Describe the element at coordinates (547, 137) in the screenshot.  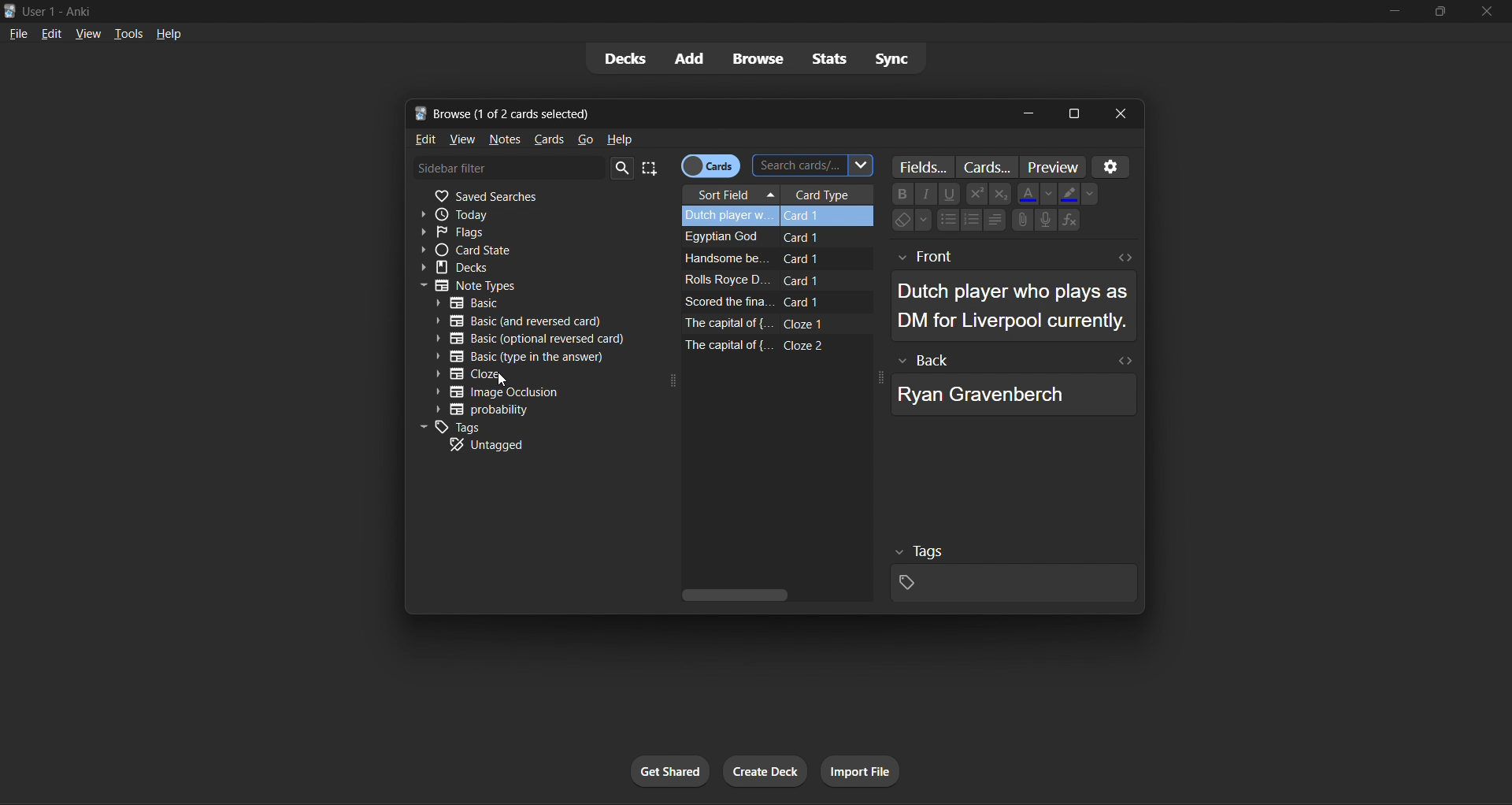
I see `cards` at that location.